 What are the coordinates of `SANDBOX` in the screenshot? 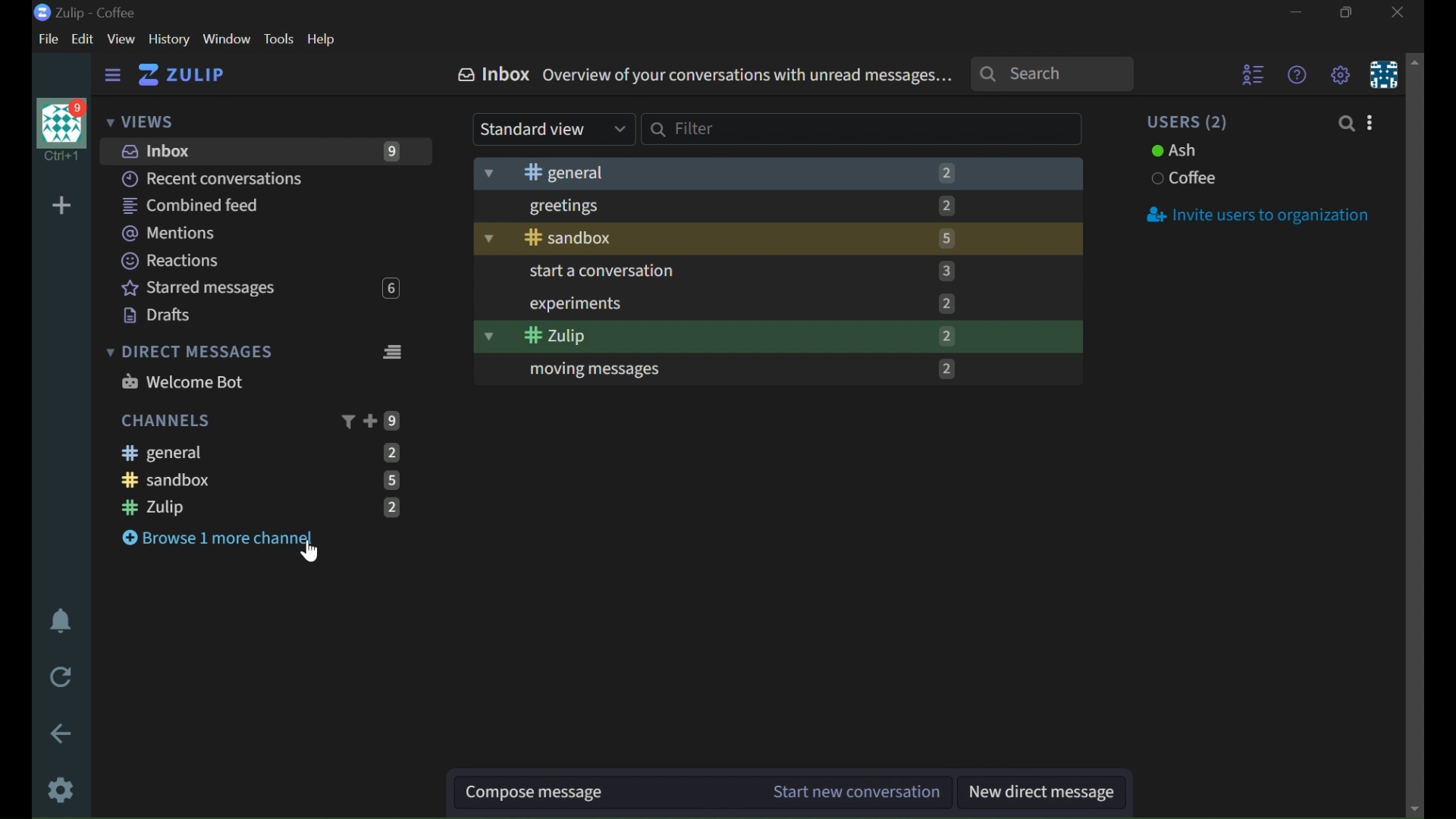 It's located at (260, 481).